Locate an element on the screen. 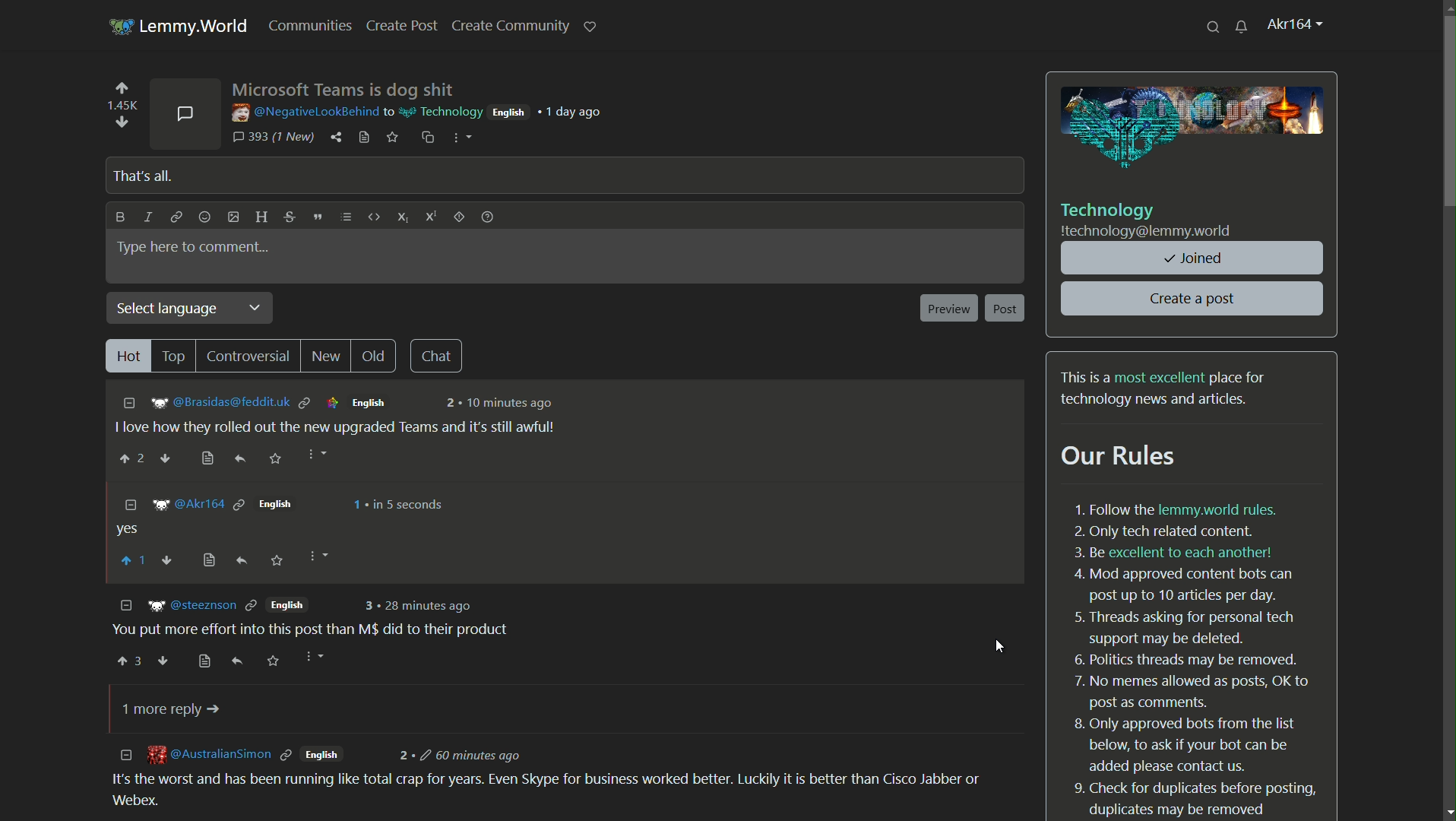 The image size is (1456, 821). chat is located at coordinates (439, 356).